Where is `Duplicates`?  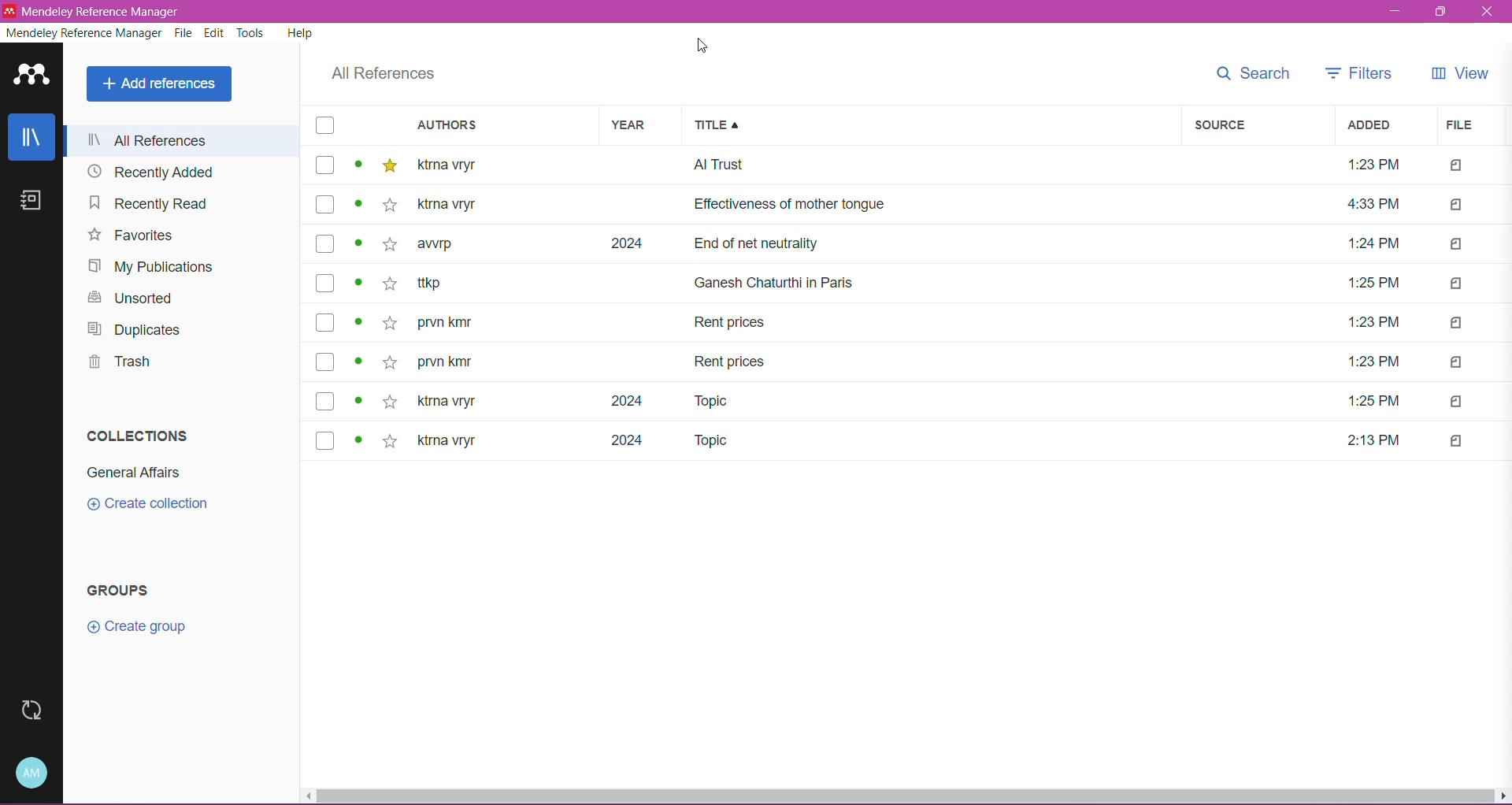
Duplicates is located at coordinates (137, 331).